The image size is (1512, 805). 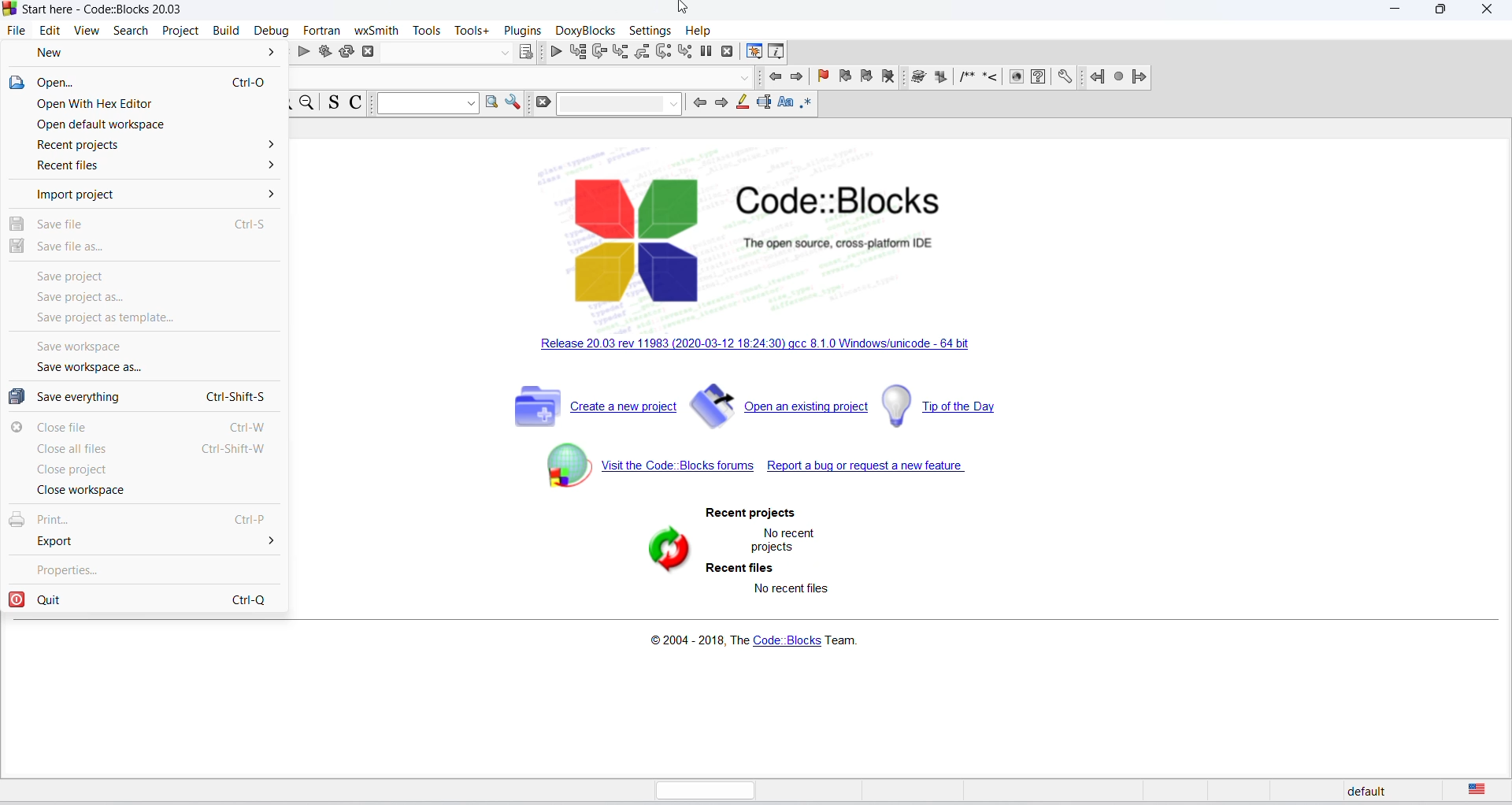 I want to click on settings, so click(x=653, y=31).